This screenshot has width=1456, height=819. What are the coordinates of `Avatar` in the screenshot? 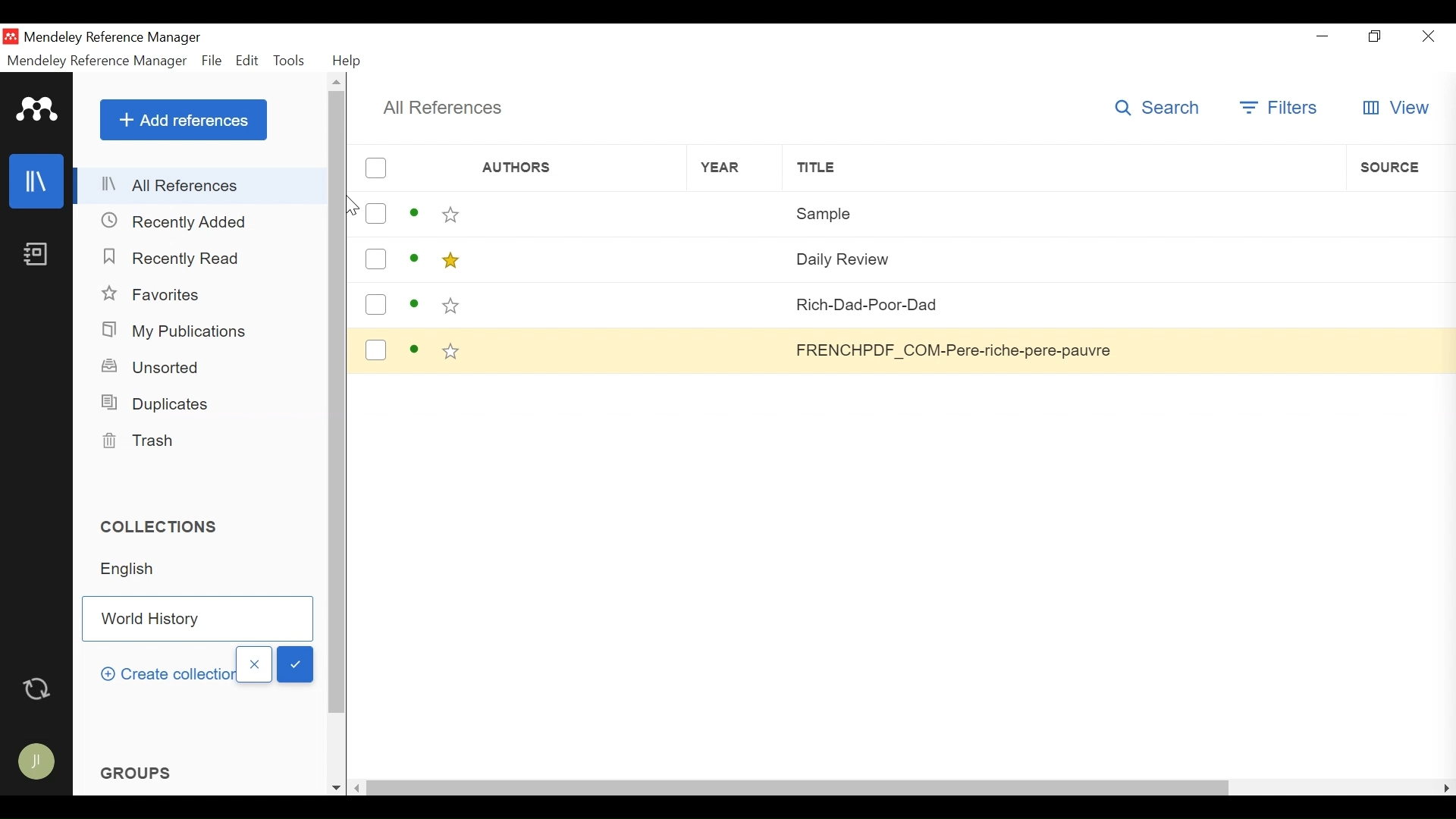 It's located at (35, 758).